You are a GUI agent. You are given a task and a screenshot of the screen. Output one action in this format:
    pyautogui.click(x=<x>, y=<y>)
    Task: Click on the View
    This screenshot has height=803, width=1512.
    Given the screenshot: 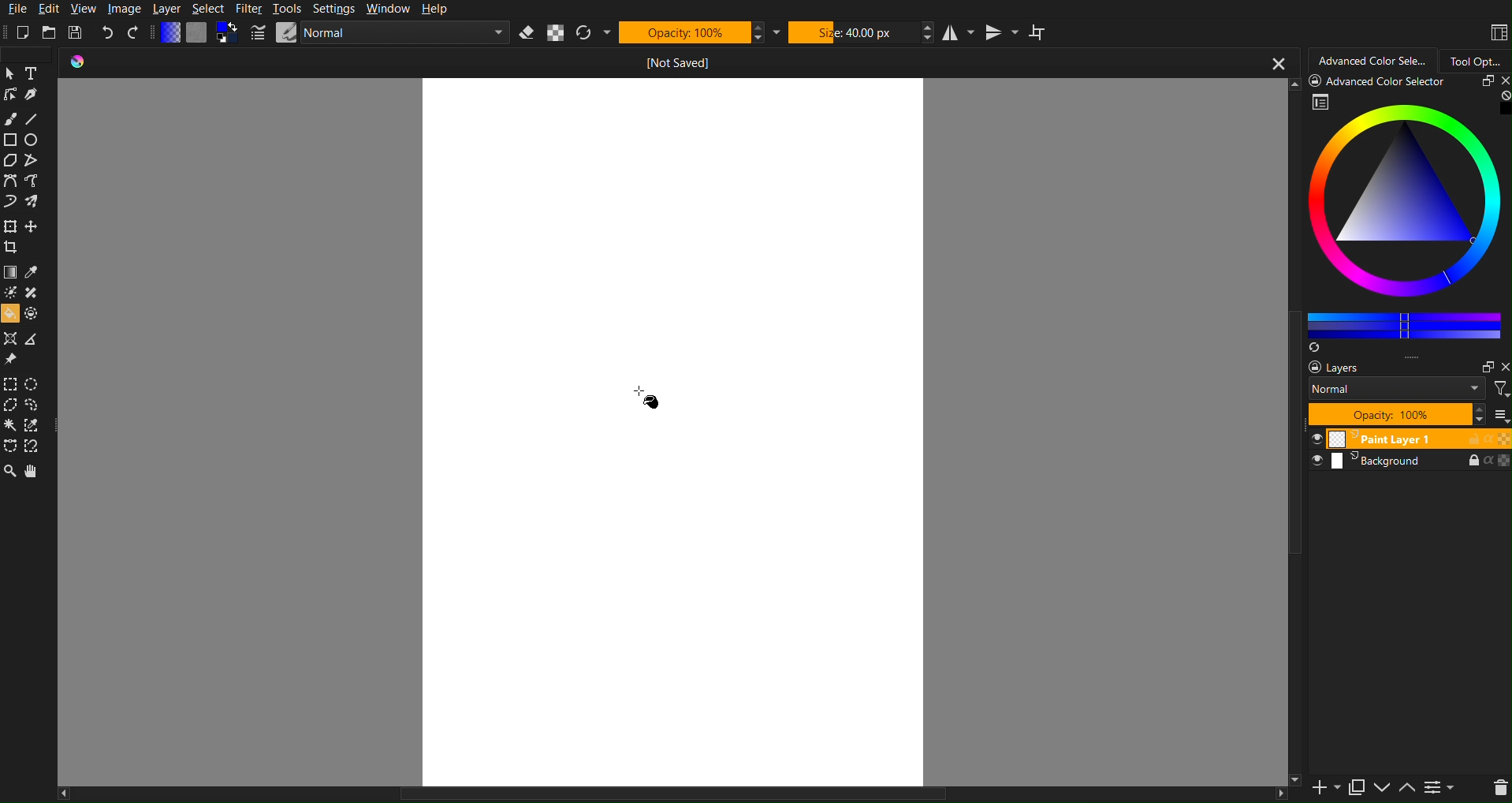 What is the action you would take?
    pyautogui.click(x=82, y=9)
    